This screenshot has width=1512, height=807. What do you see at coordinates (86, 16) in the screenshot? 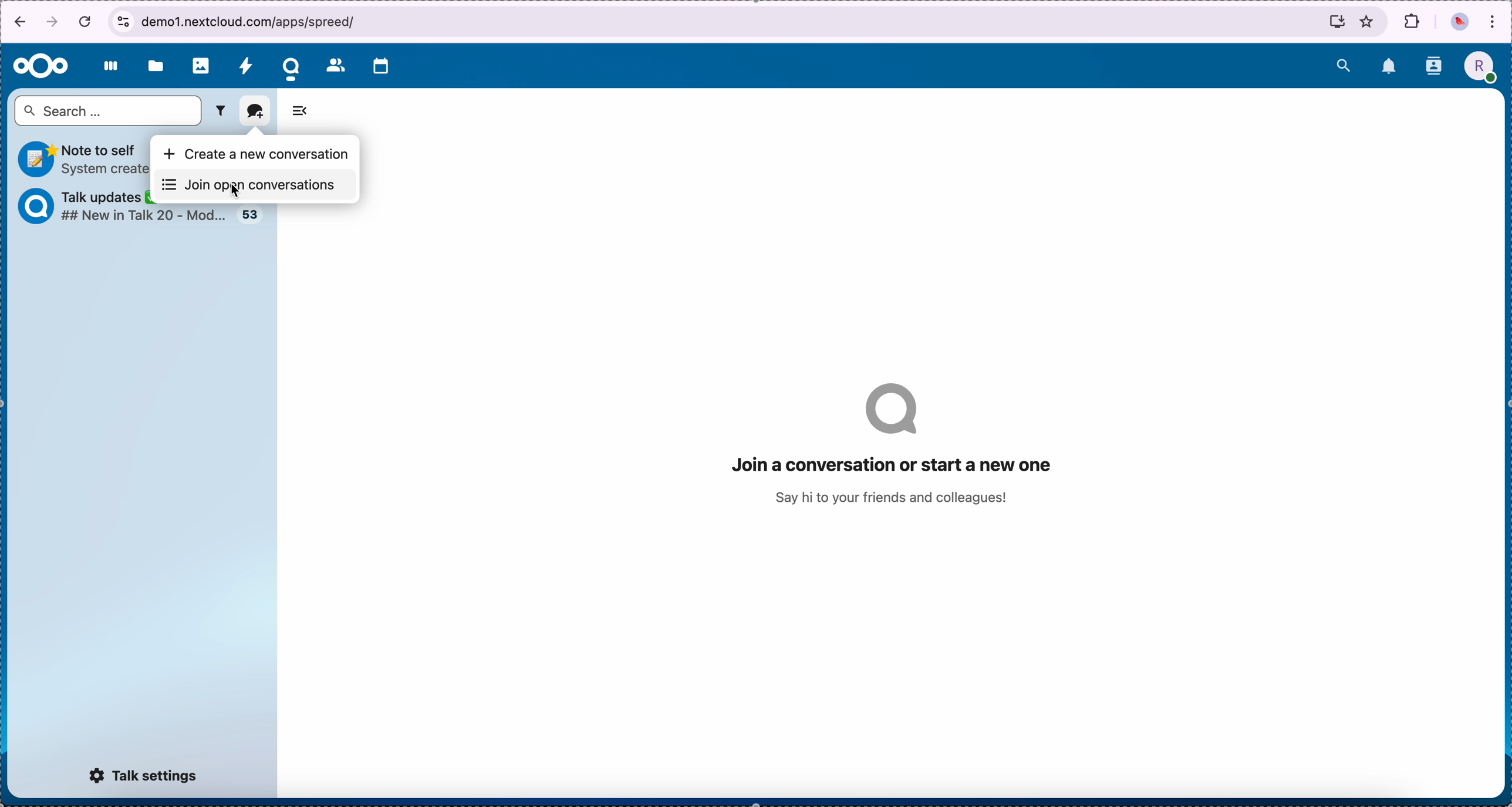
I see `cancel` at bounding box center [86, 16].